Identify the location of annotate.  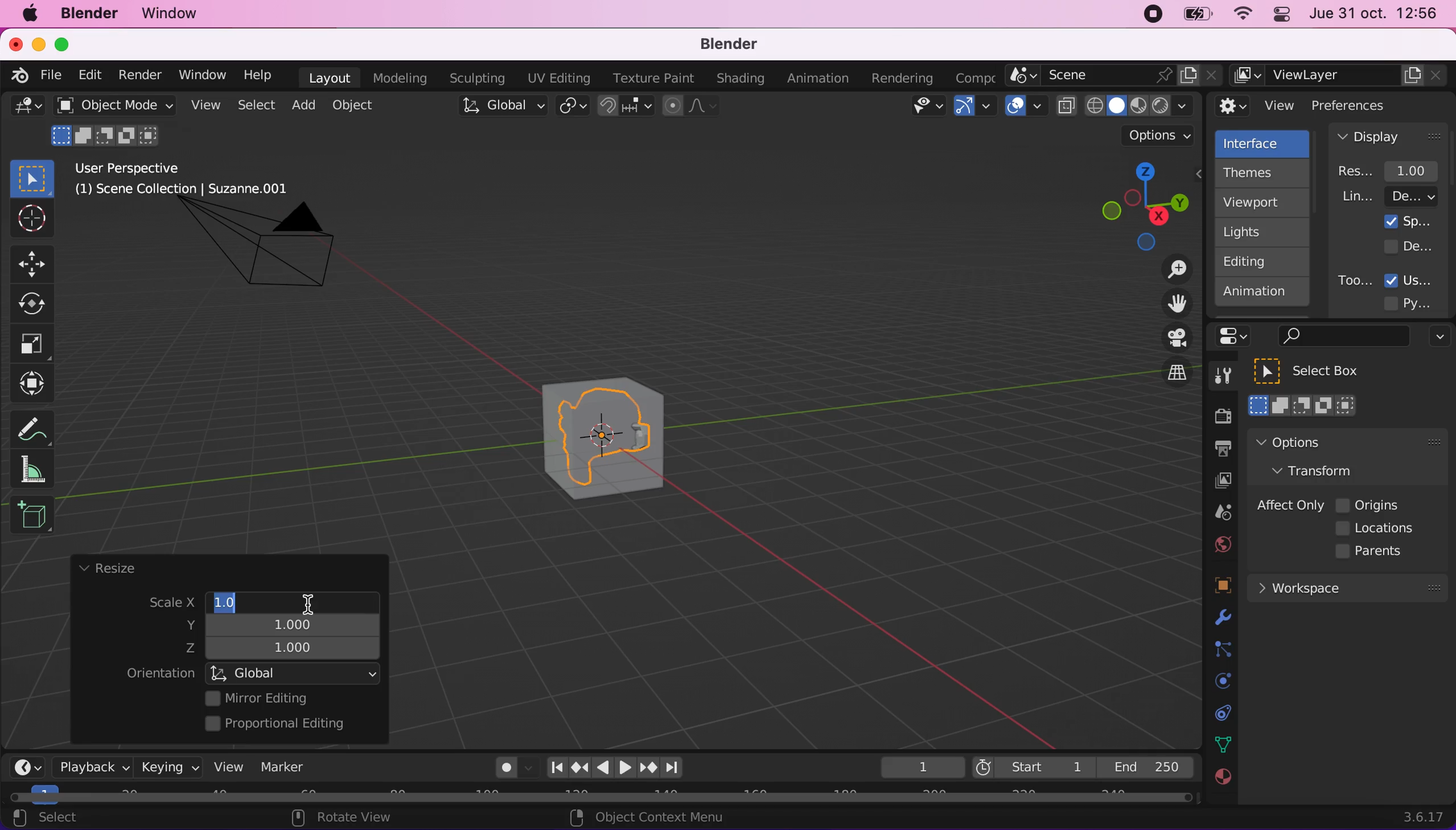
(37, 426).